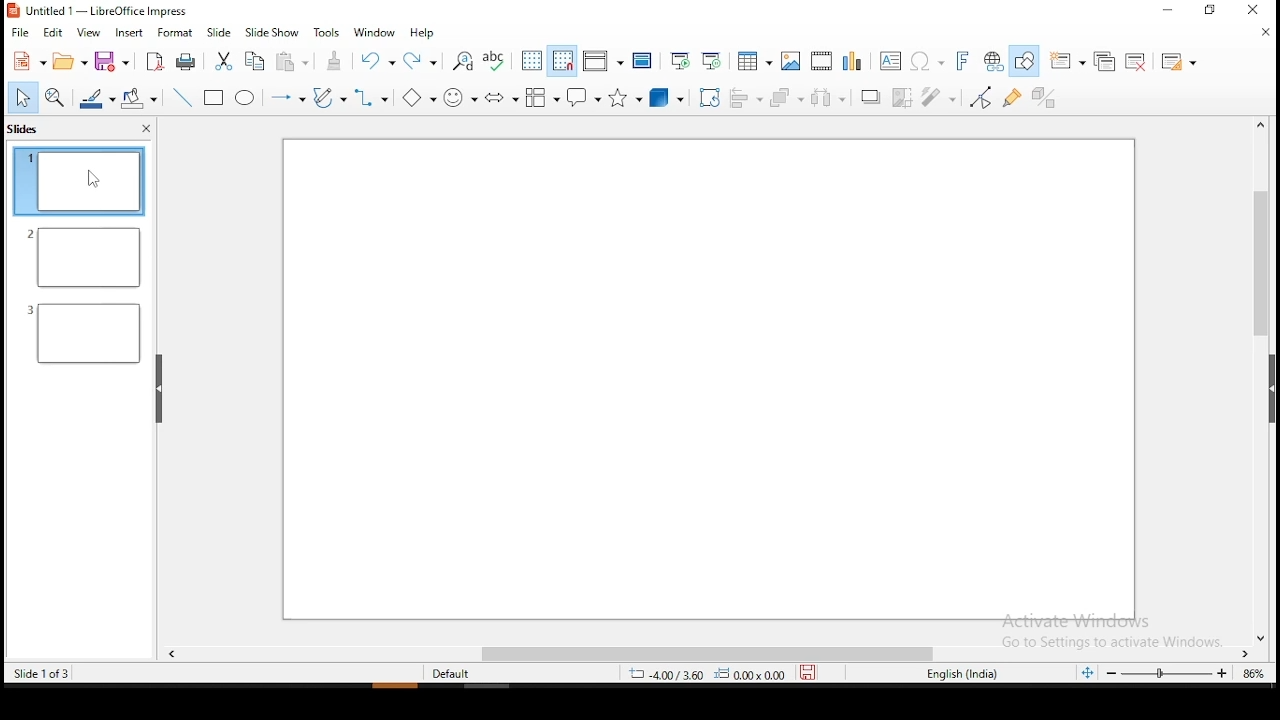 This screenshot has width=1280, height=720. What do you see at coordinates (1266, 33) in the screenshot?
I see `close` at bounding box center [1266, 33].